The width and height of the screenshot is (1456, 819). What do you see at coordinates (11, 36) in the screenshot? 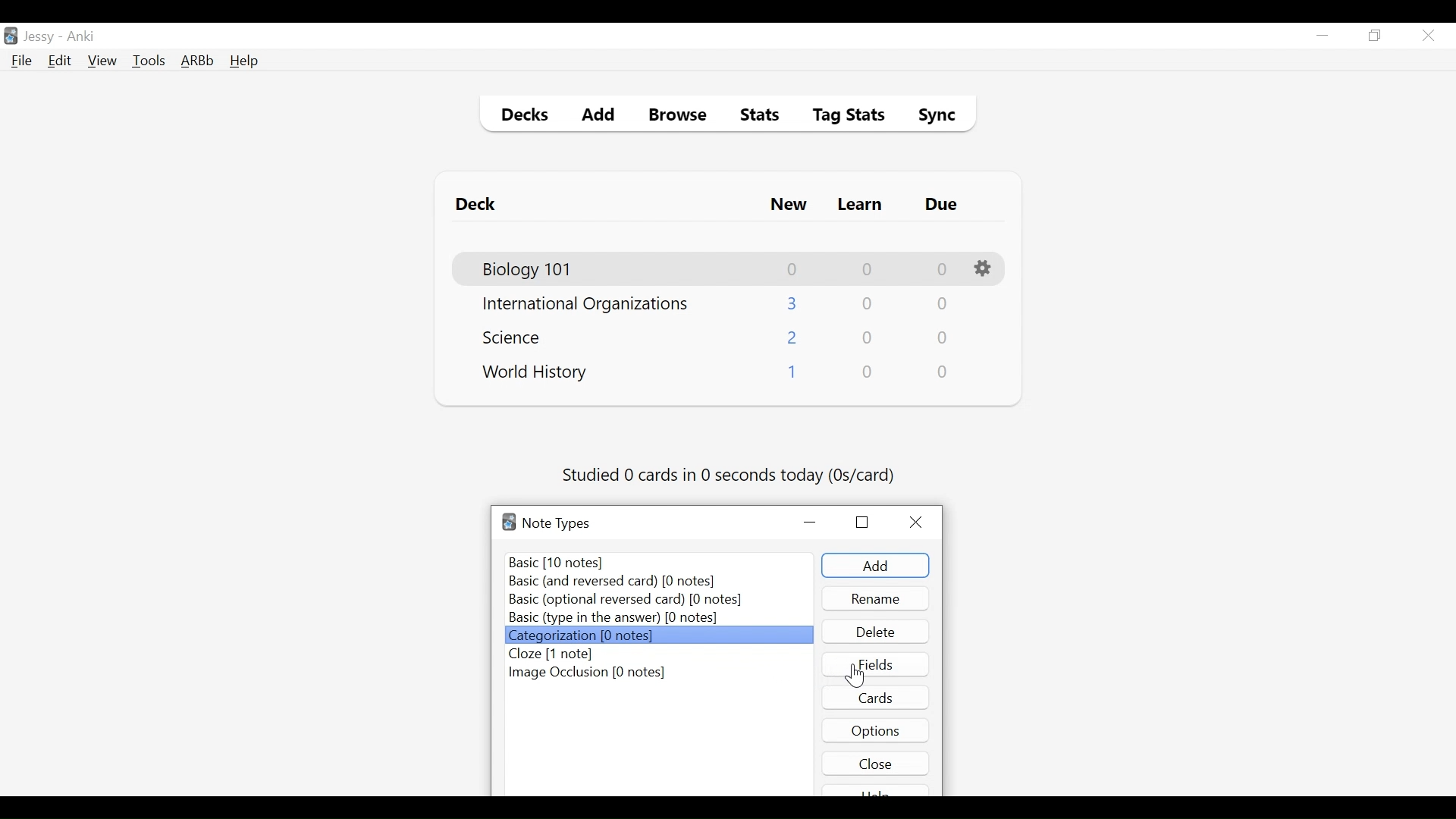
I see `Anki Desktop icon` at bounding box center [11, 36].